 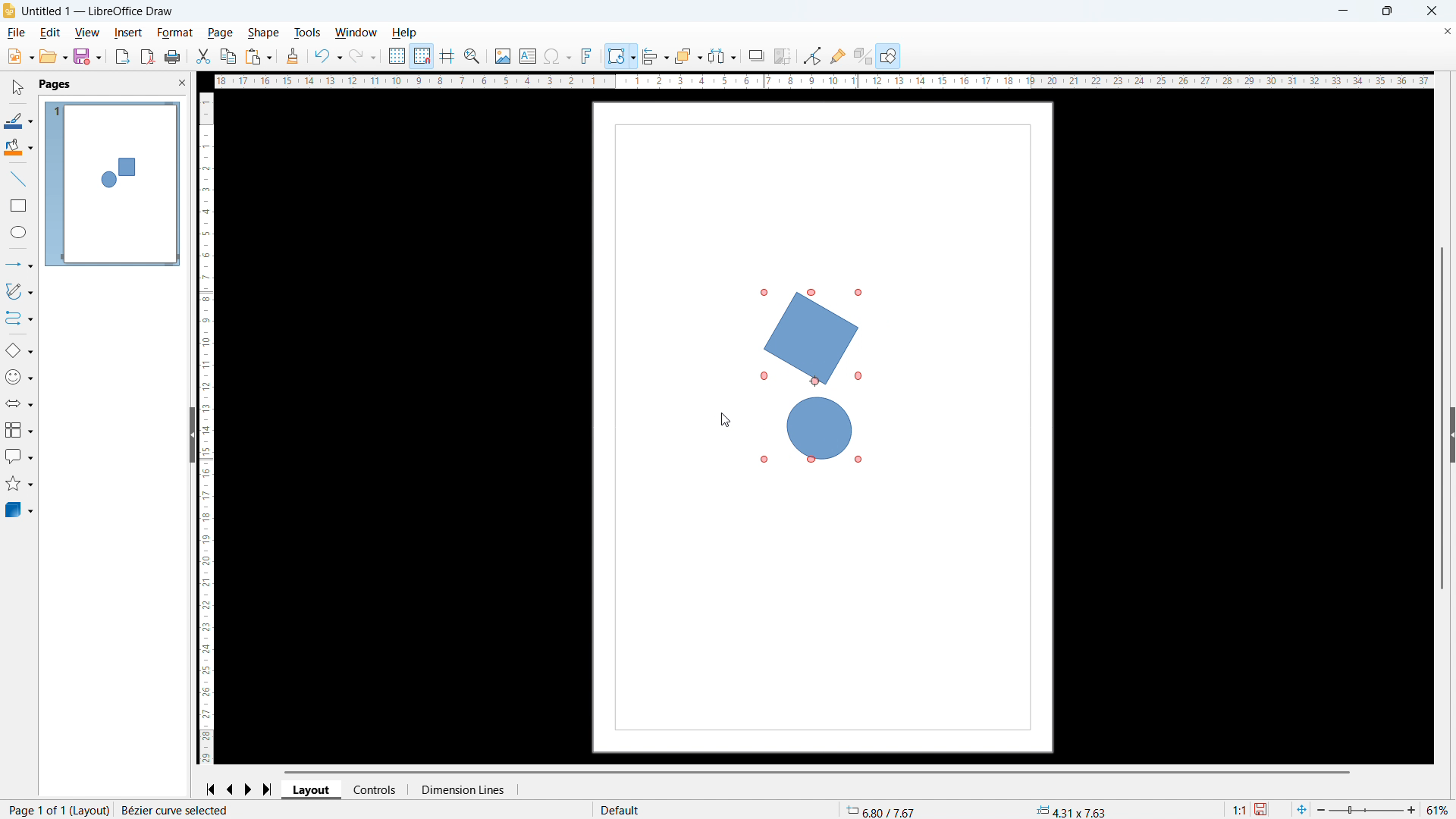 I want to click on Rectangle , so click(x=19, y=206).